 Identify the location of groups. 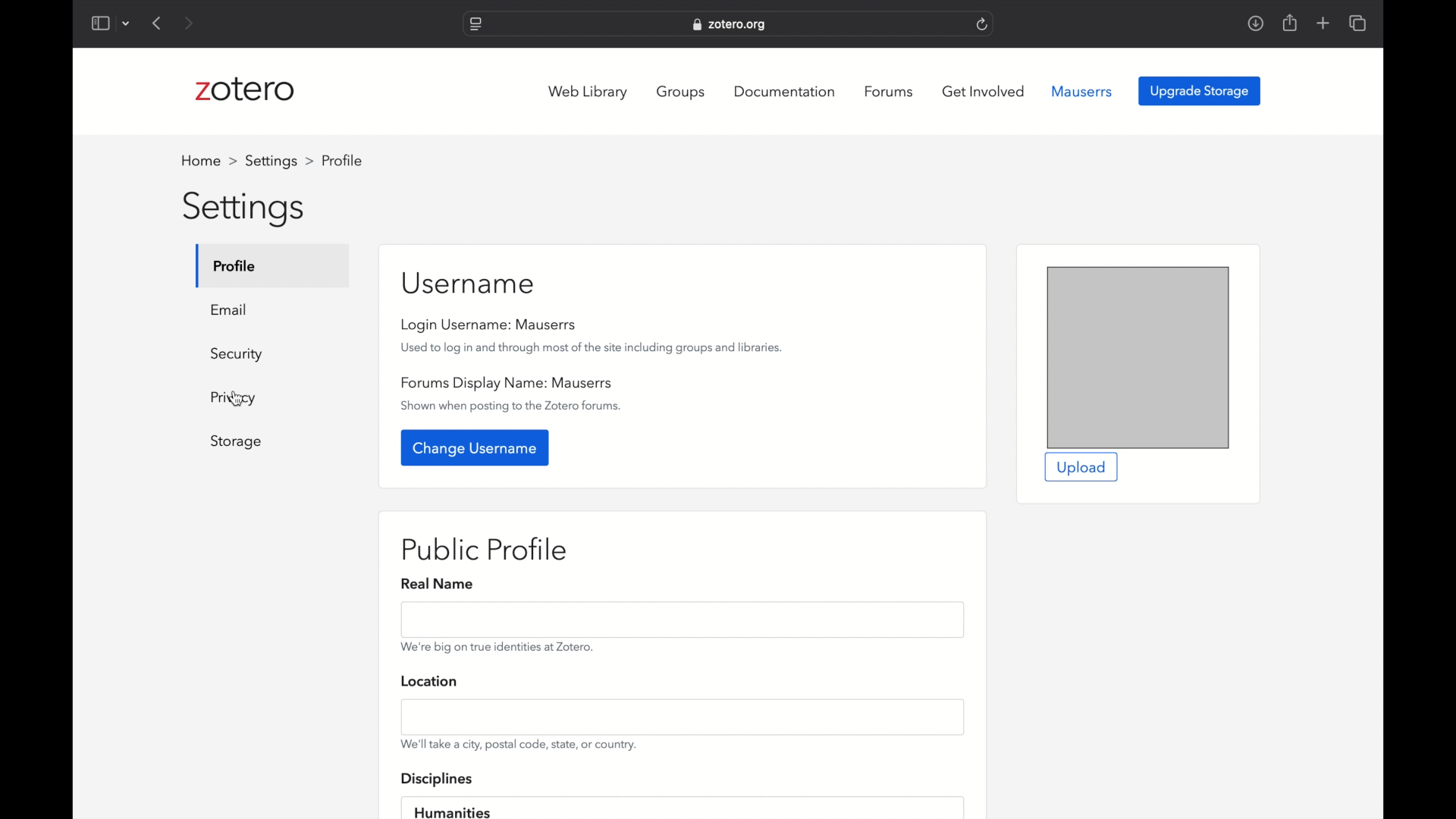
(682, 93).